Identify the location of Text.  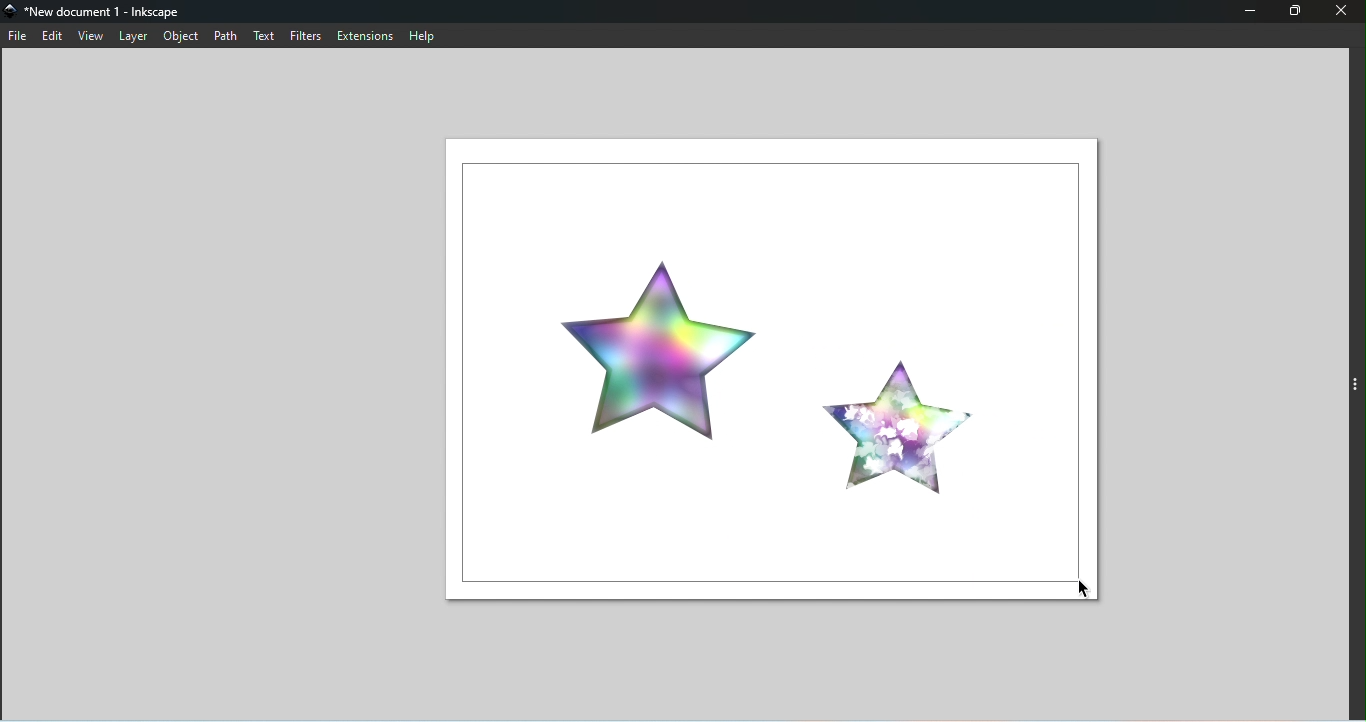
(267, 37).